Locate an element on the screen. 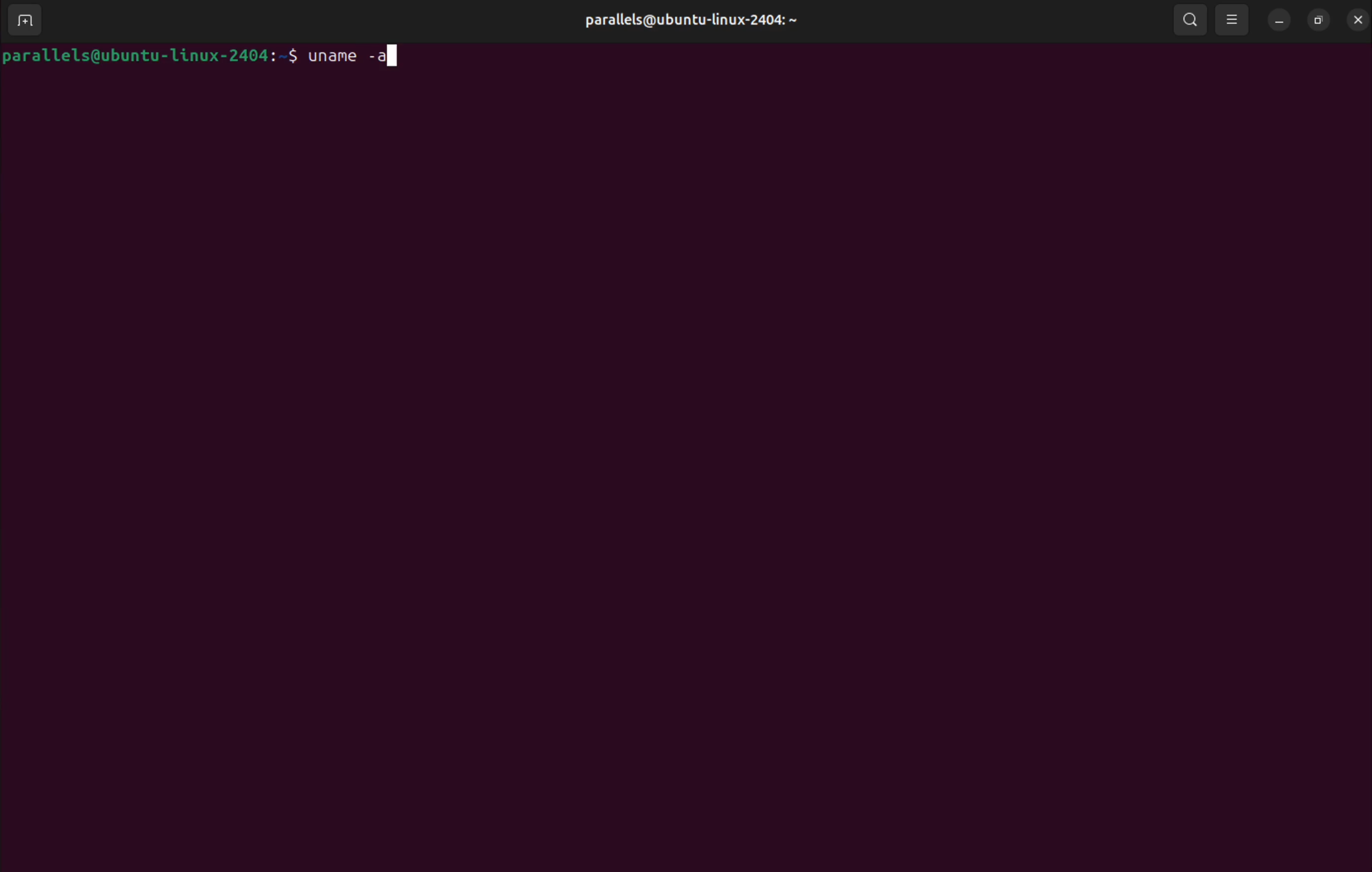  resize is located at coordinates (1320, 19).